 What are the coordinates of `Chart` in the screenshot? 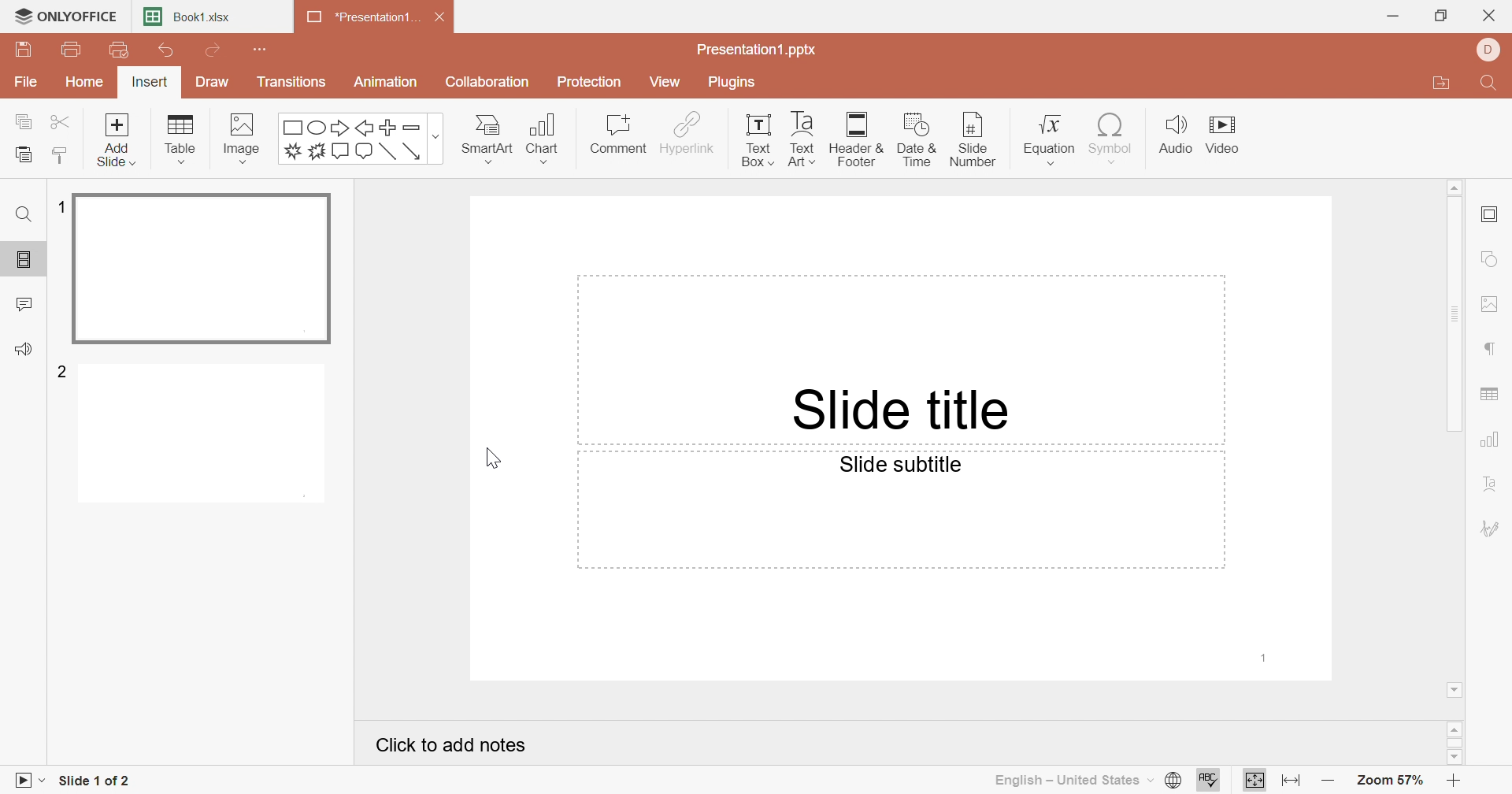 It's located at (549, 139).